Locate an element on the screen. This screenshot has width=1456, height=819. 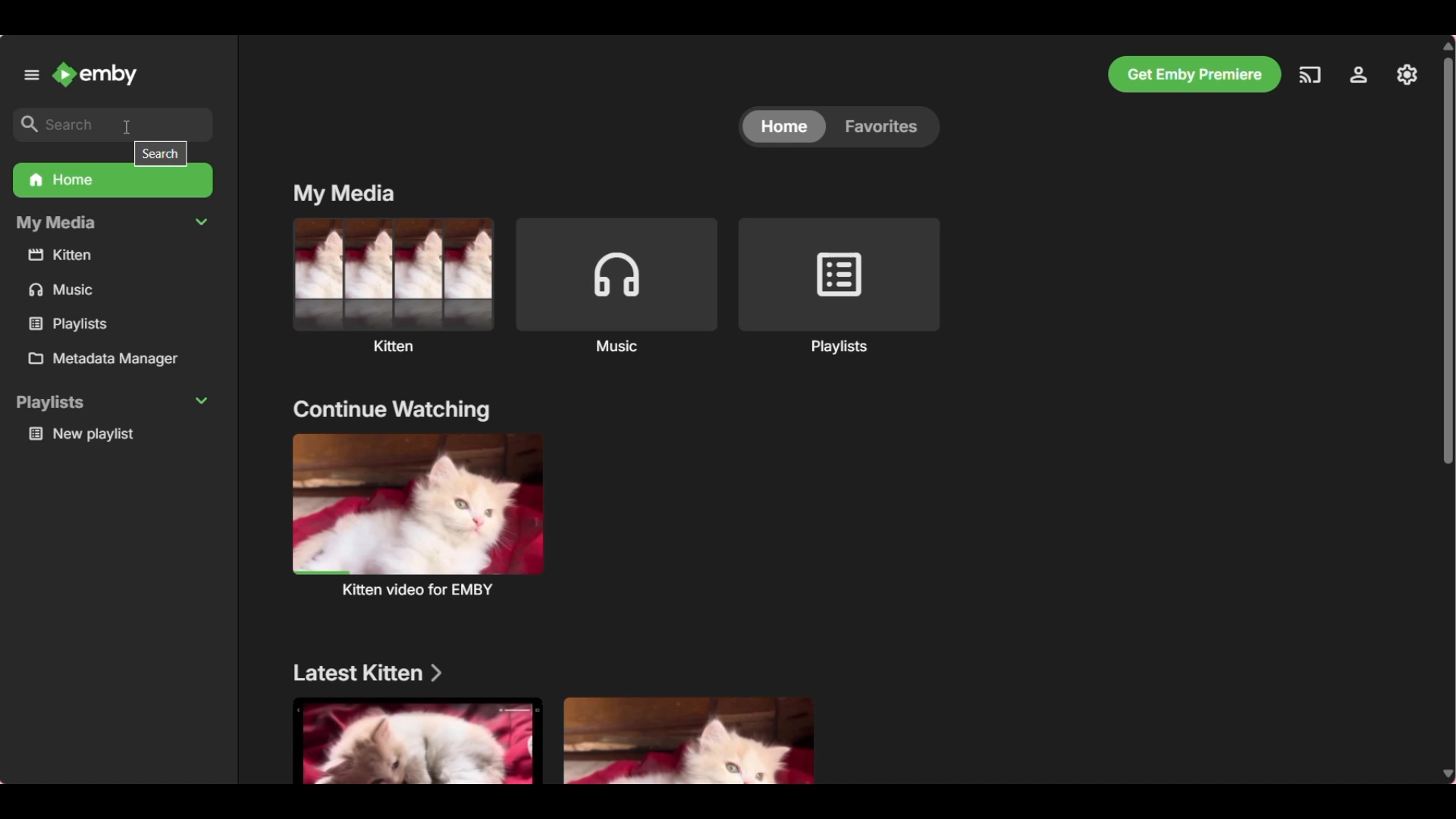
Home is located at coordinates (113, 182).